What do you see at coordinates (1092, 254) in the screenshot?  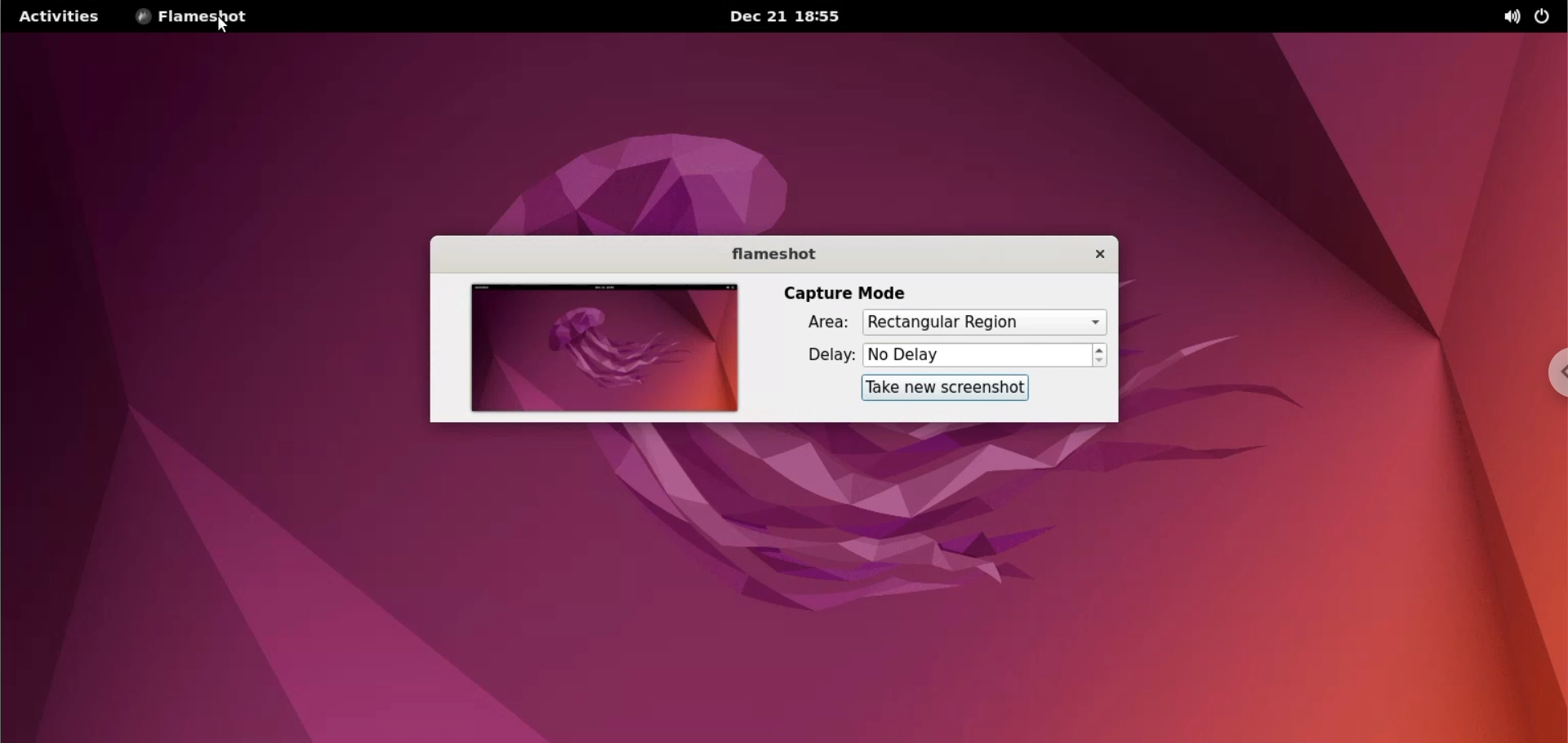 I see `close` at bounding box center [1092, 254].